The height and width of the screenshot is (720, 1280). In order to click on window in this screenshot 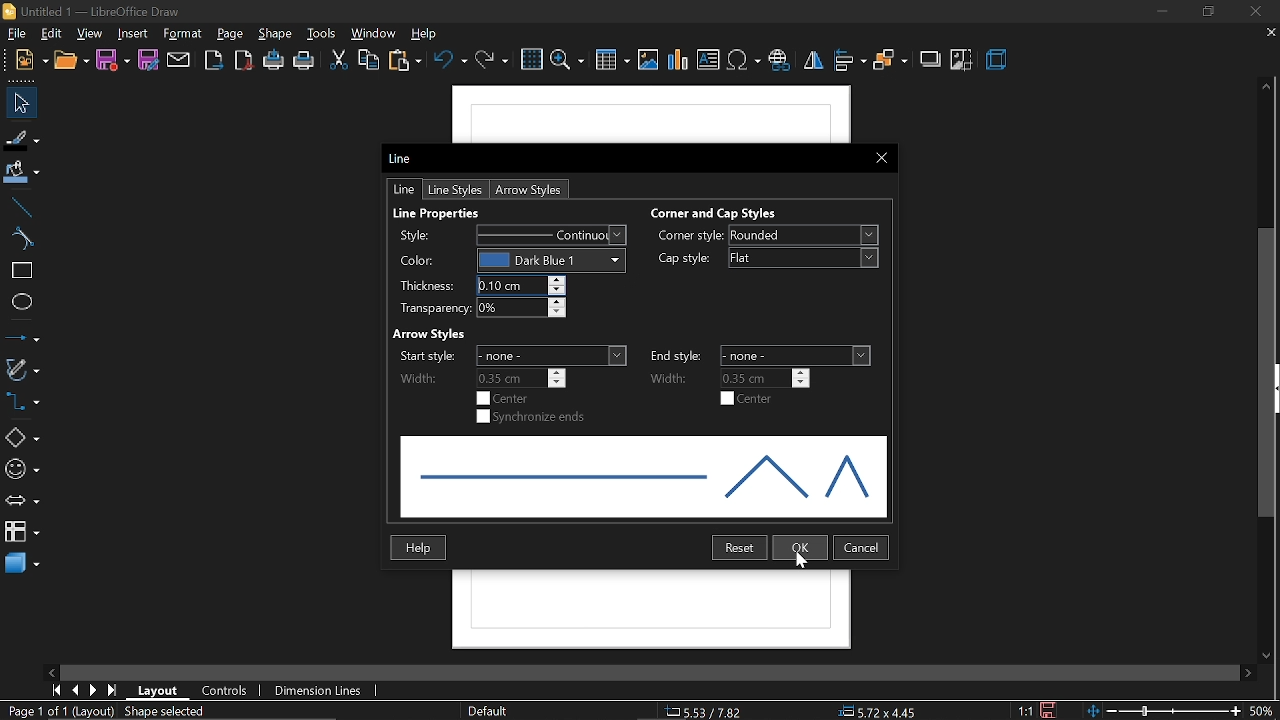, I will do `click(374, 32)`.